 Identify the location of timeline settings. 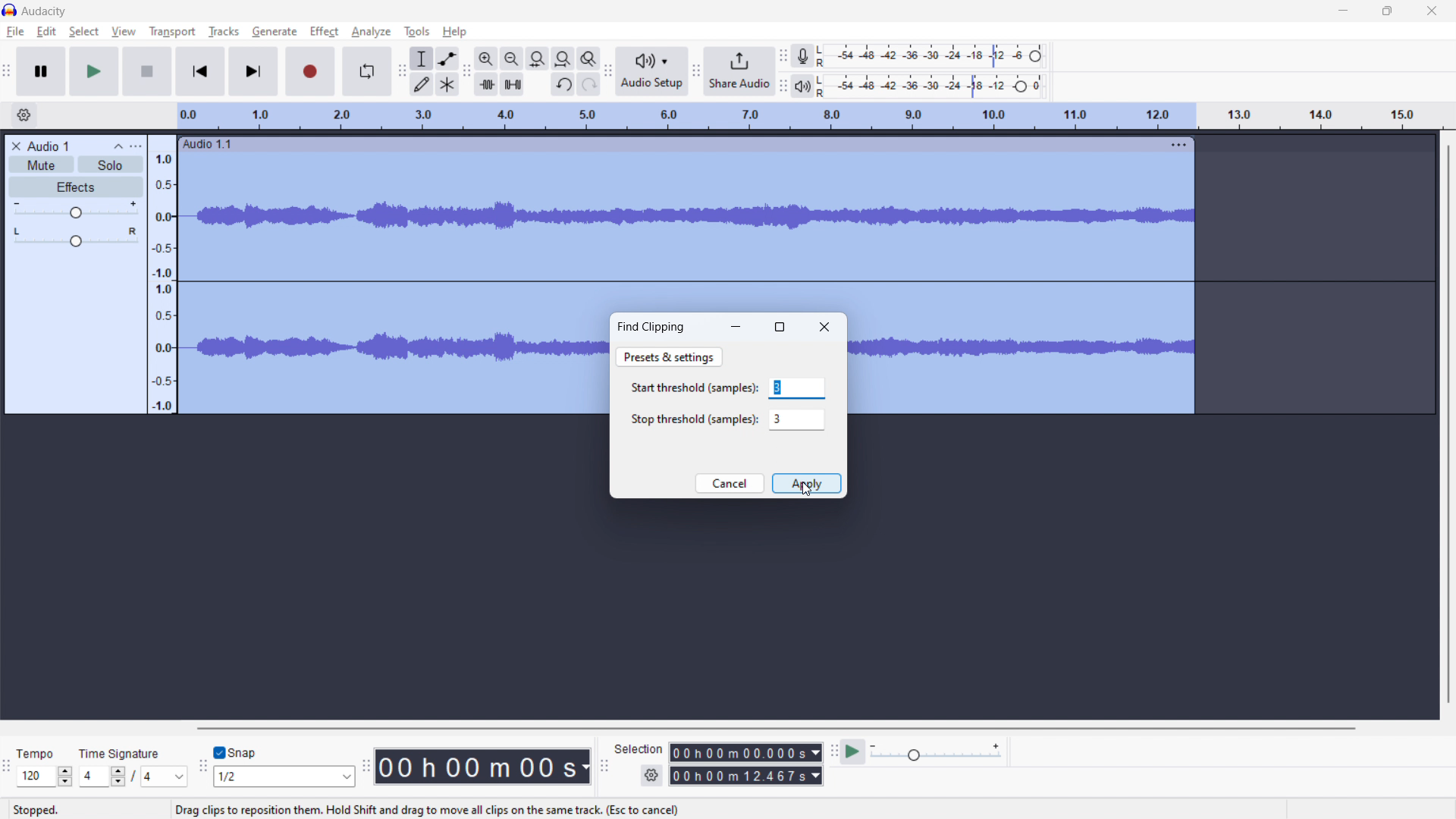
(24, 115).